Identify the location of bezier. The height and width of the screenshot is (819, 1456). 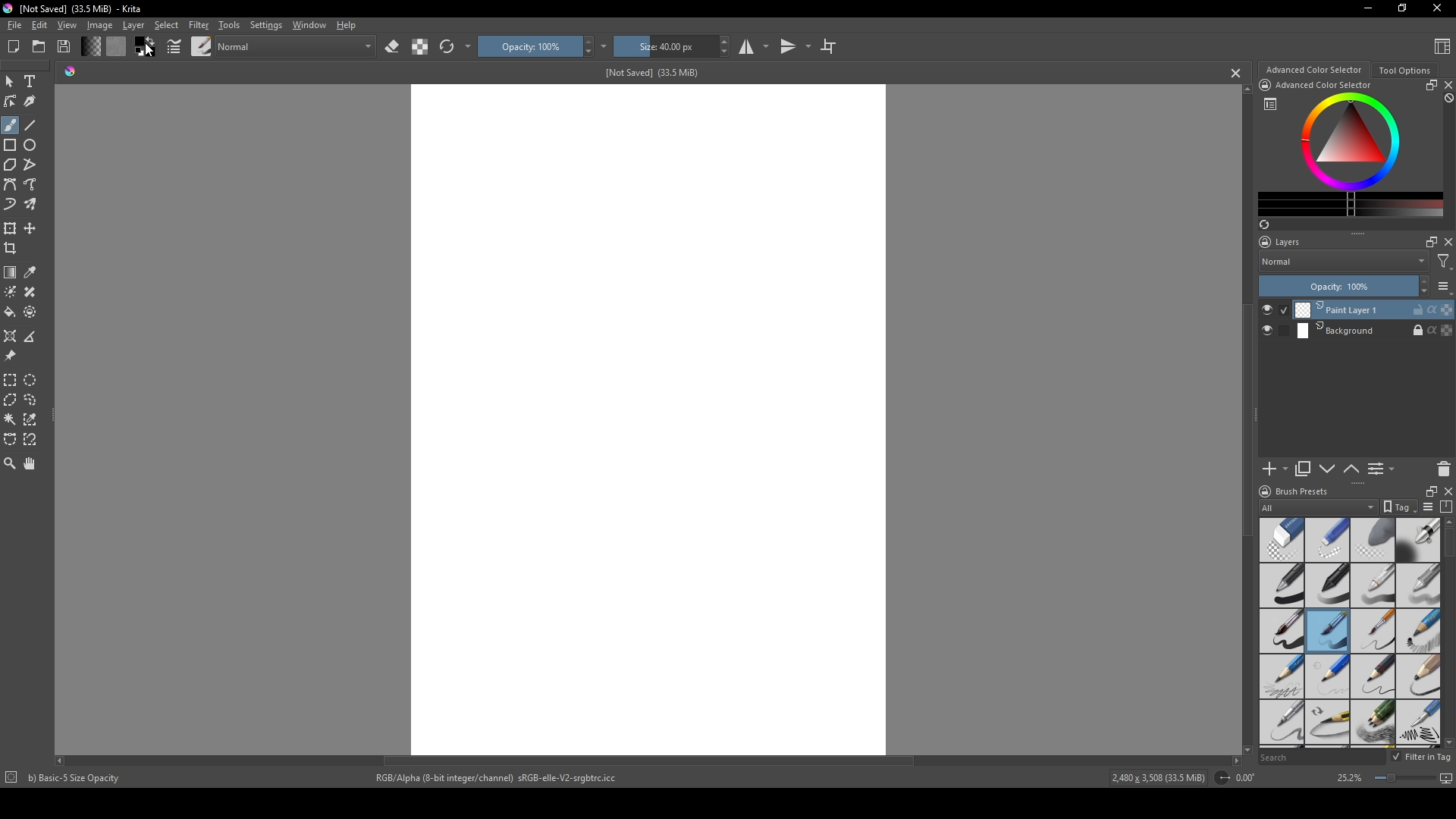
(11, 185).